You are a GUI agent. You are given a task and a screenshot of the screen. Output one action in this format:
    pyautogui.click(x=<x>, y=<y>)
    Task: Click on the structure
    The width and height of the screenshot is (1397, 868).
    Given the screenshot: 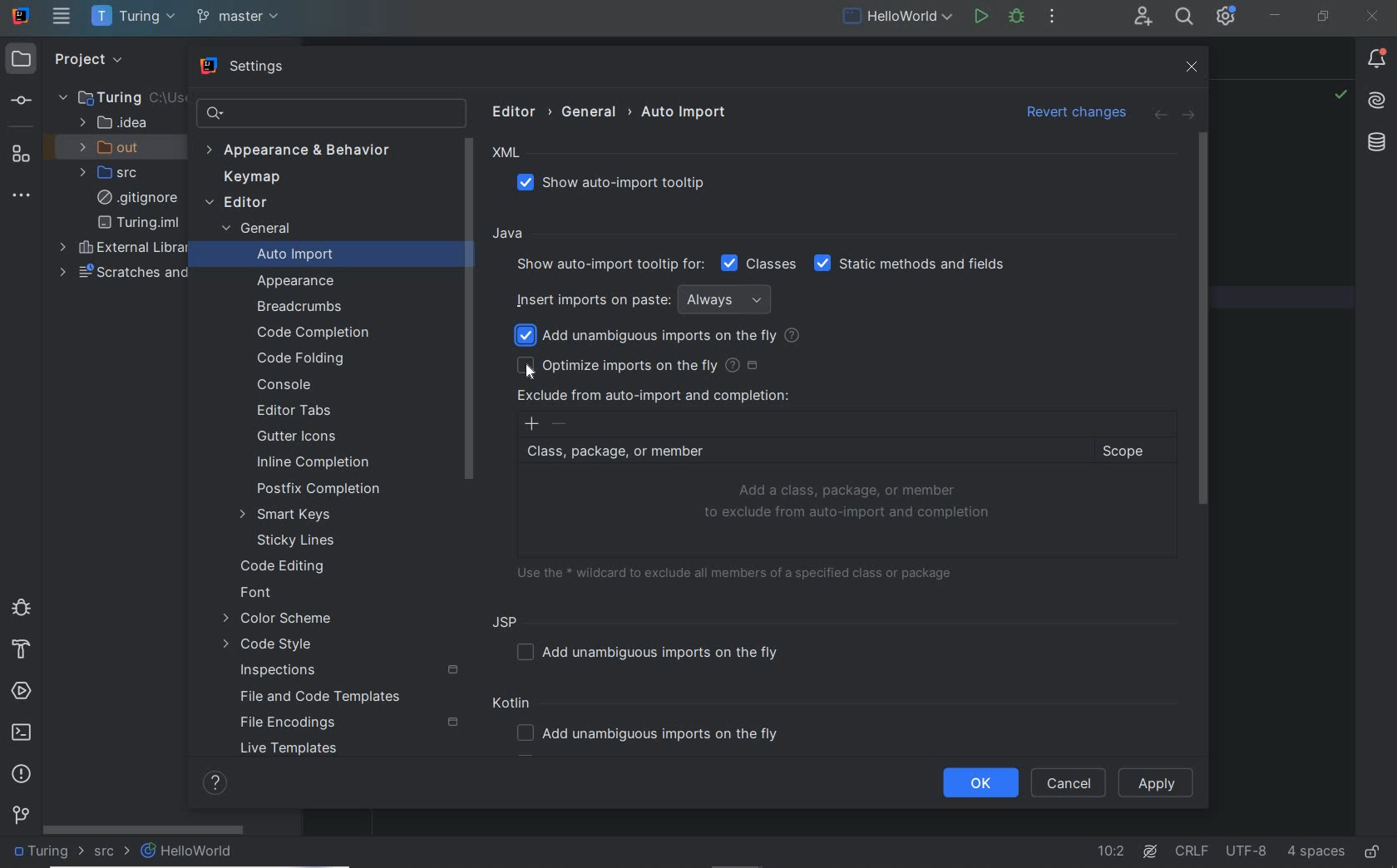 What is the action you would take?
    pyautogui.click(x=20, y=153)
    